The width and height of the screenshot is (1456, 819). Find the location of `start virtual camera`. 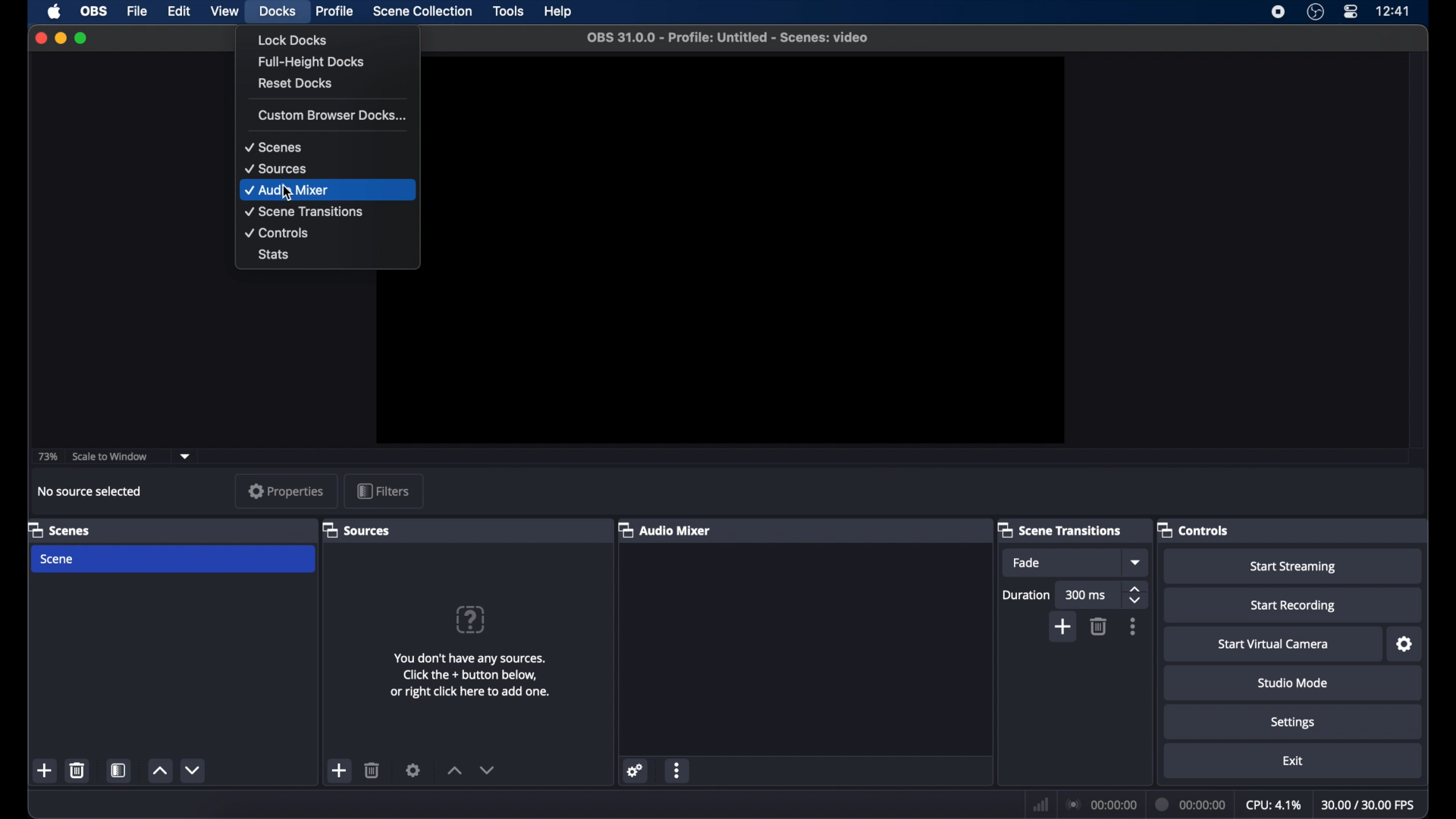

start virtual camera is located at coordinates (1274, 645).